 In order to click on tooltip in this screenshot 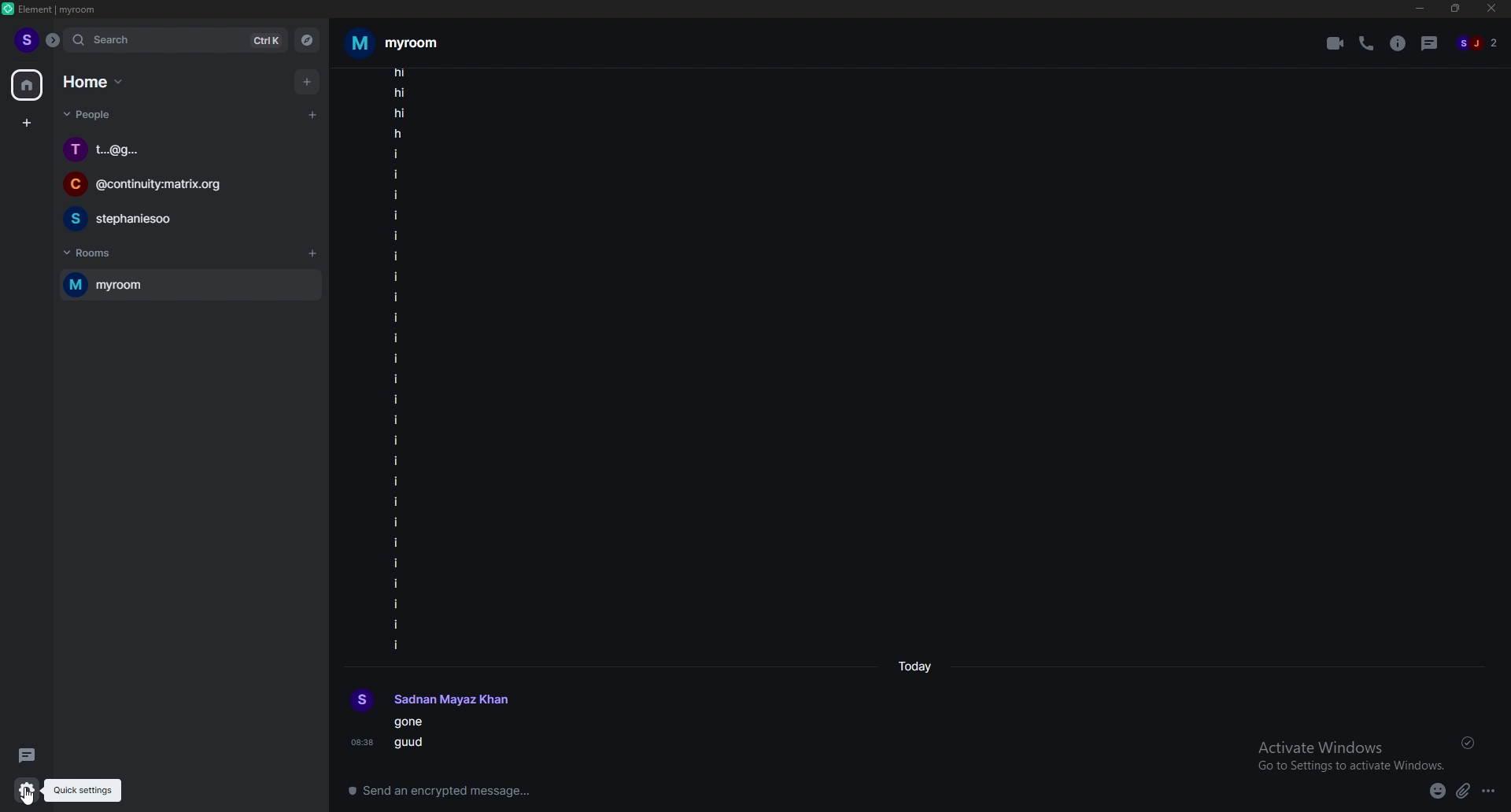, I will do `click(83, 791)`.